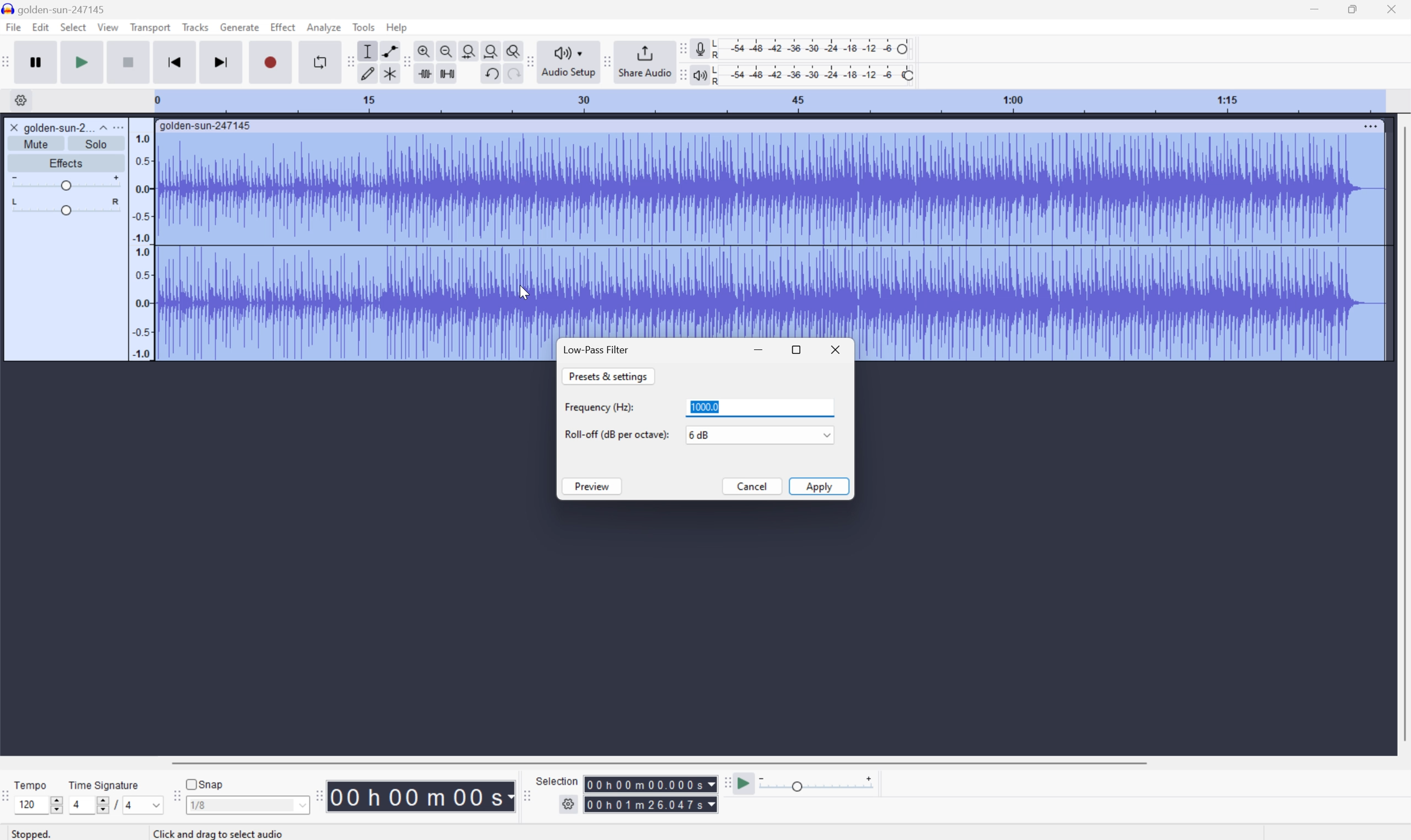 This screenshot has width=1411, height=840. Describe the element at coordinates (761, 350) in the screenshot. I see `Minimze` at that location.